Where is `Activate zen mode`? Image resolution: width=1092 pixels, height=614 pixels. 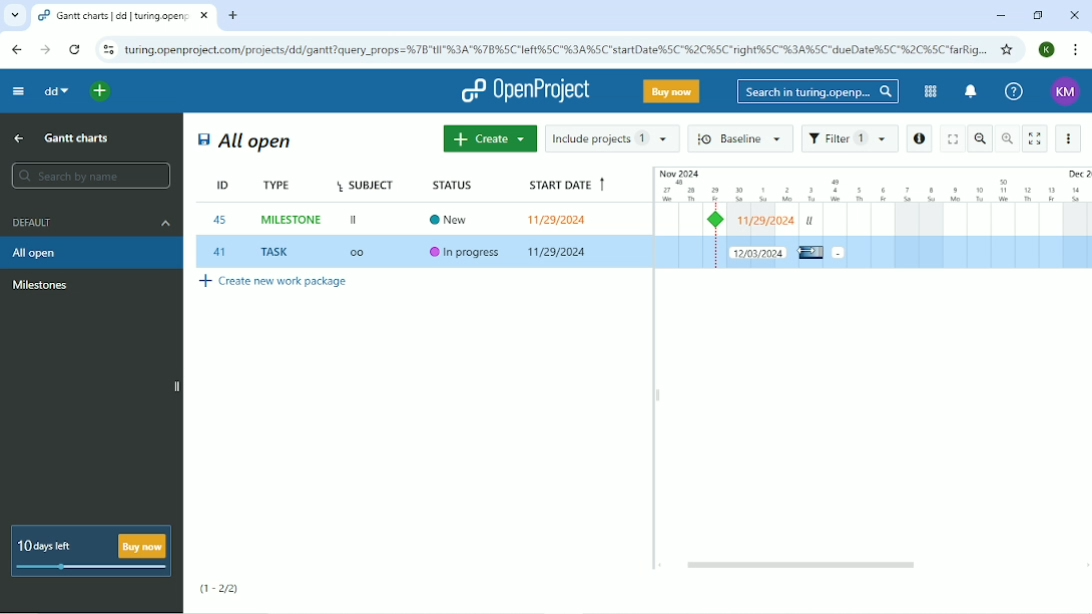 Activate zen mode is located at coordinates (1035, 139).